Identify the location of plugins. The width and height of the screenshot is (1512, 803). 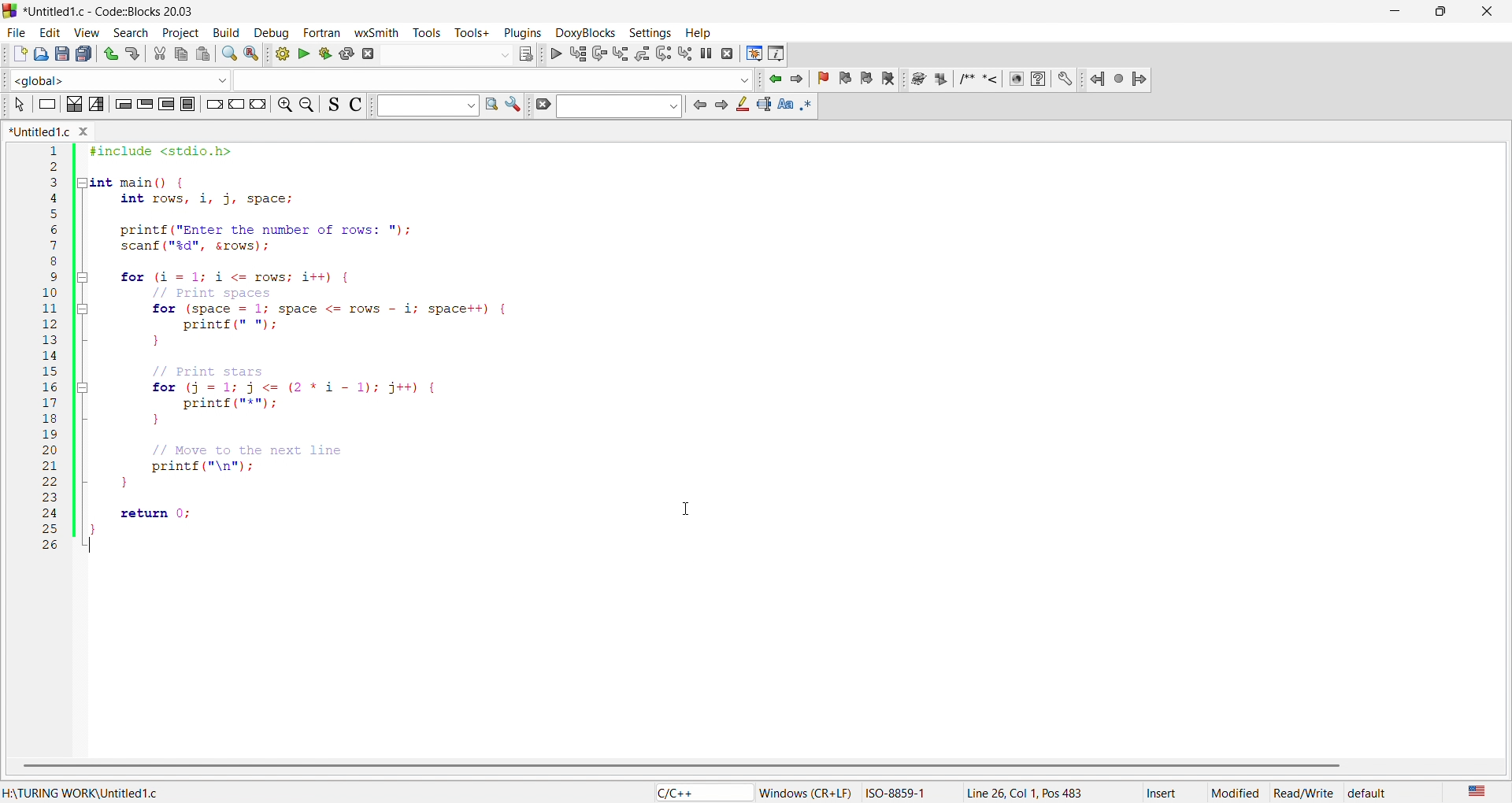
(521, 31).